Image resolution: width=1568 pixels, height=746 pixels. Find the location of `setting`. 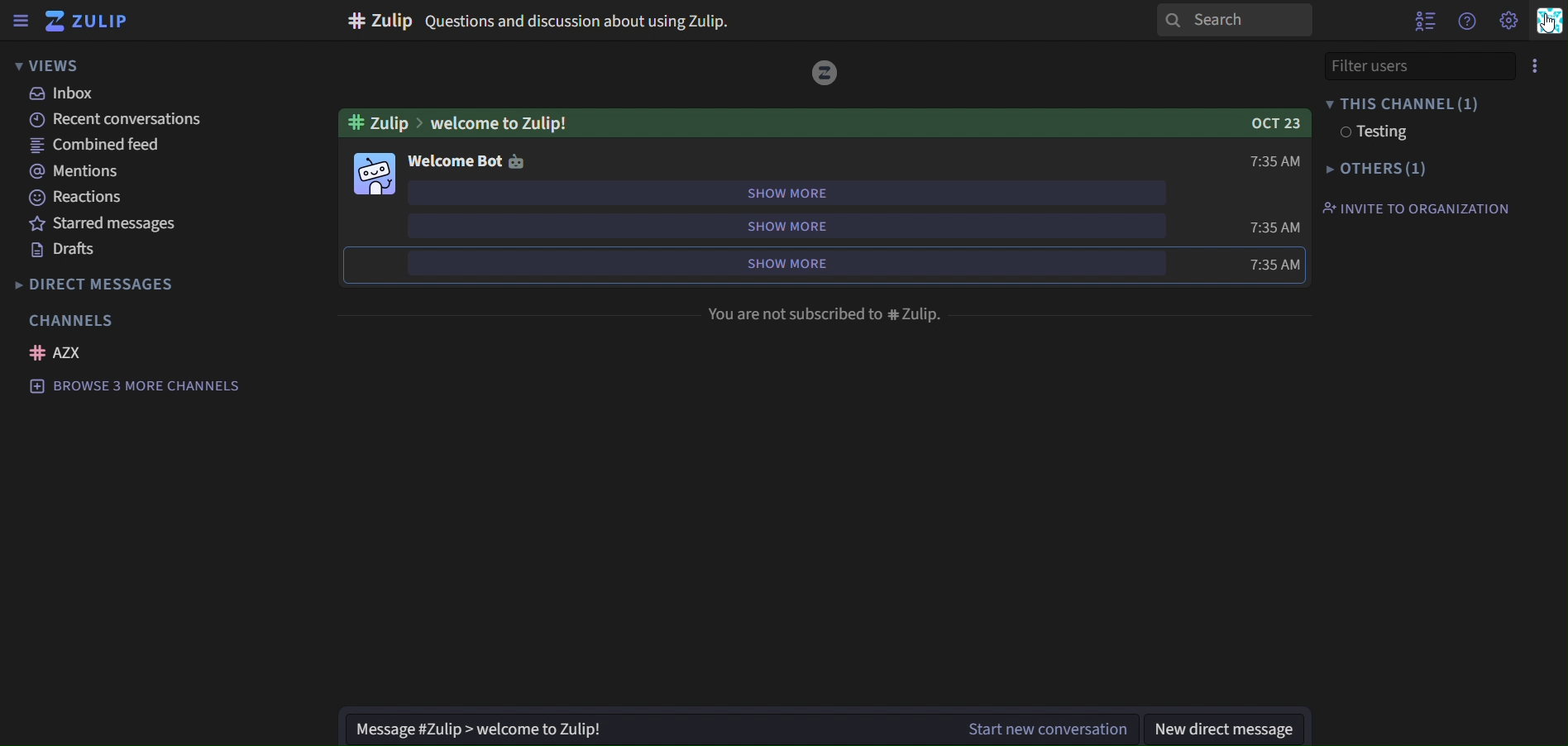

setting is located at coordinates (1508, 20).